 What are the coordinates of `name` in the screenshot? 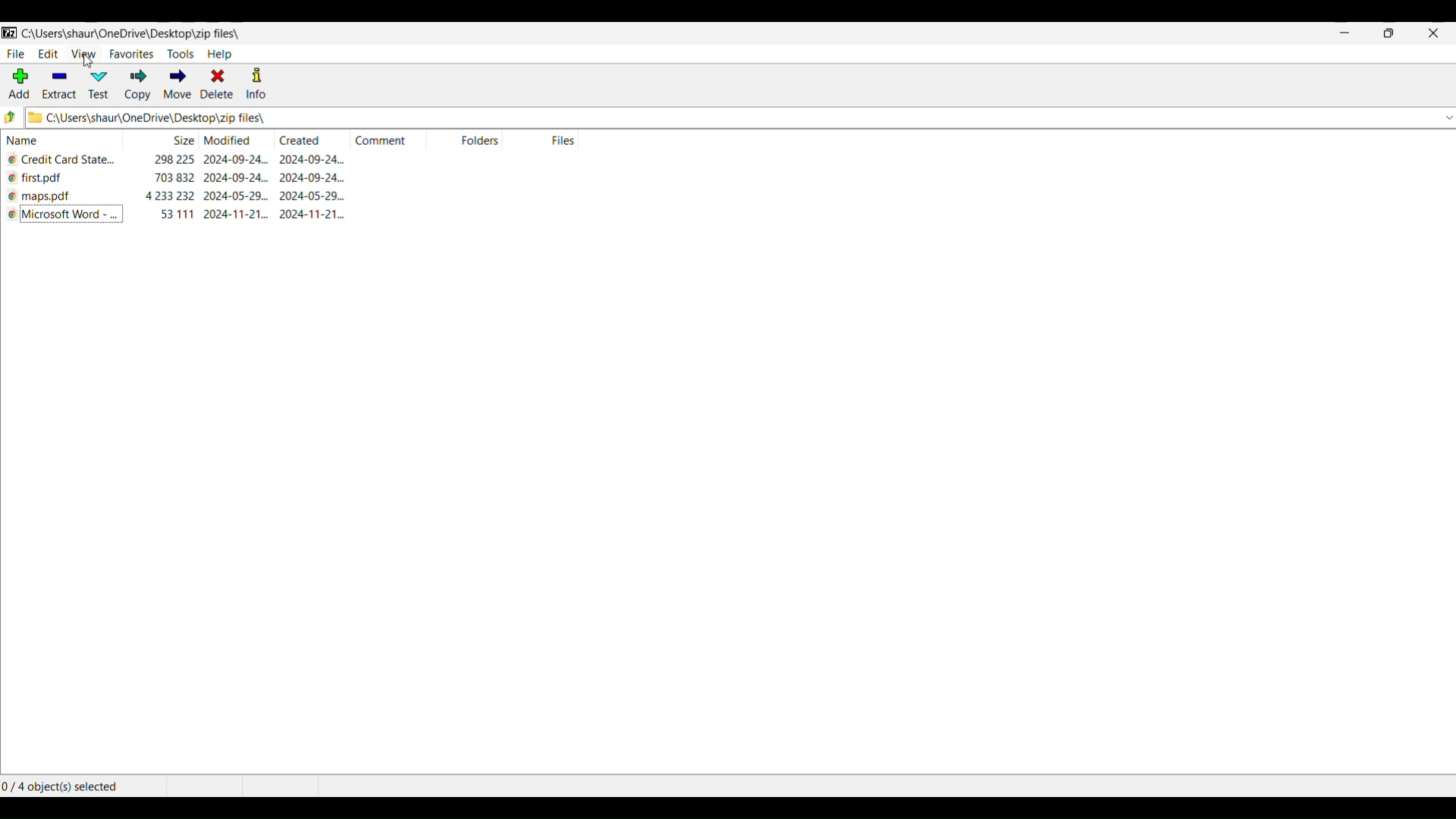 It's located at (74, 140).